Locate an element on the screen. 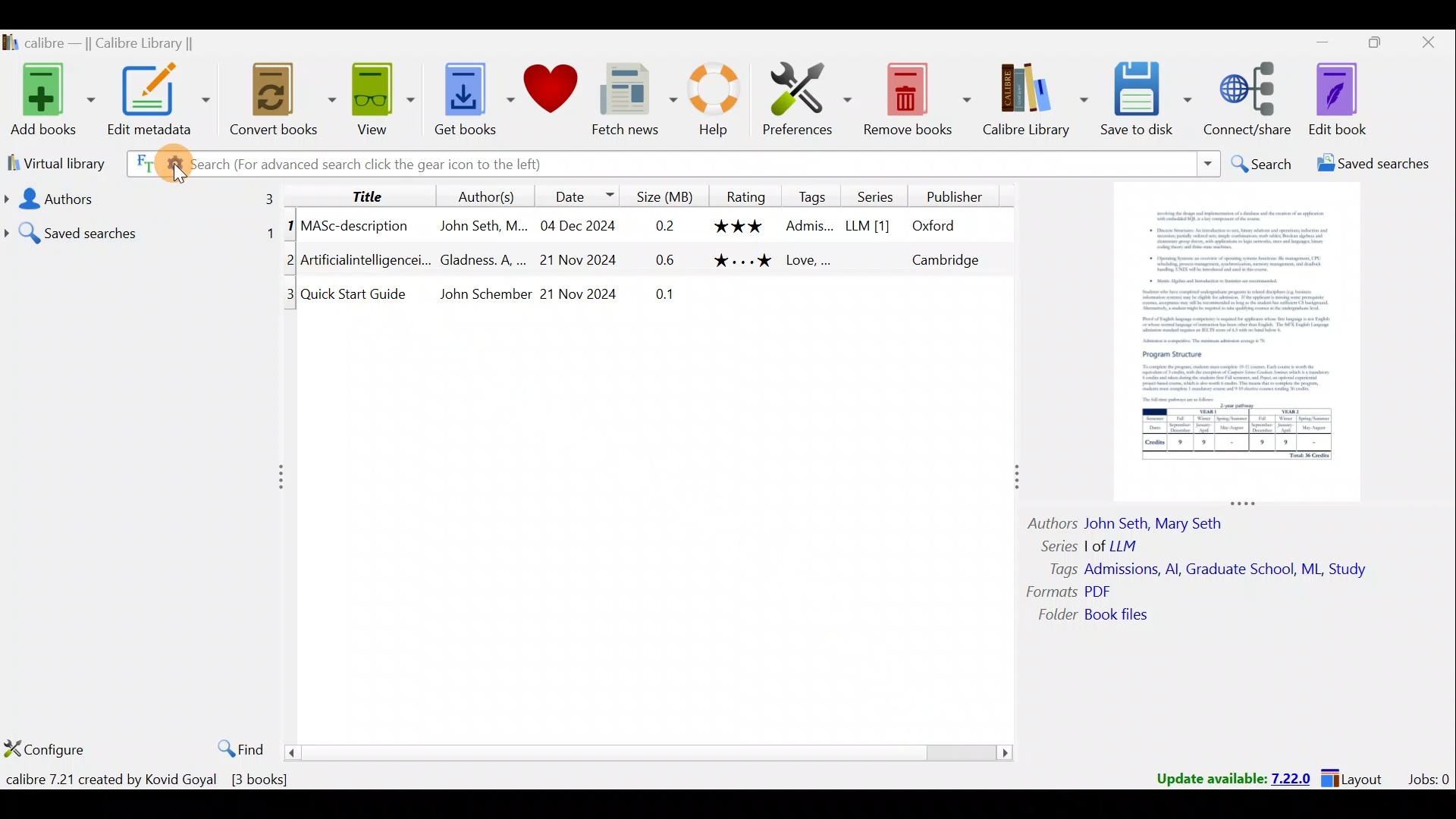 Image resolution: width=1456 pixels, height=819 pixels. 0.1 is located at coordinates (668, 296).